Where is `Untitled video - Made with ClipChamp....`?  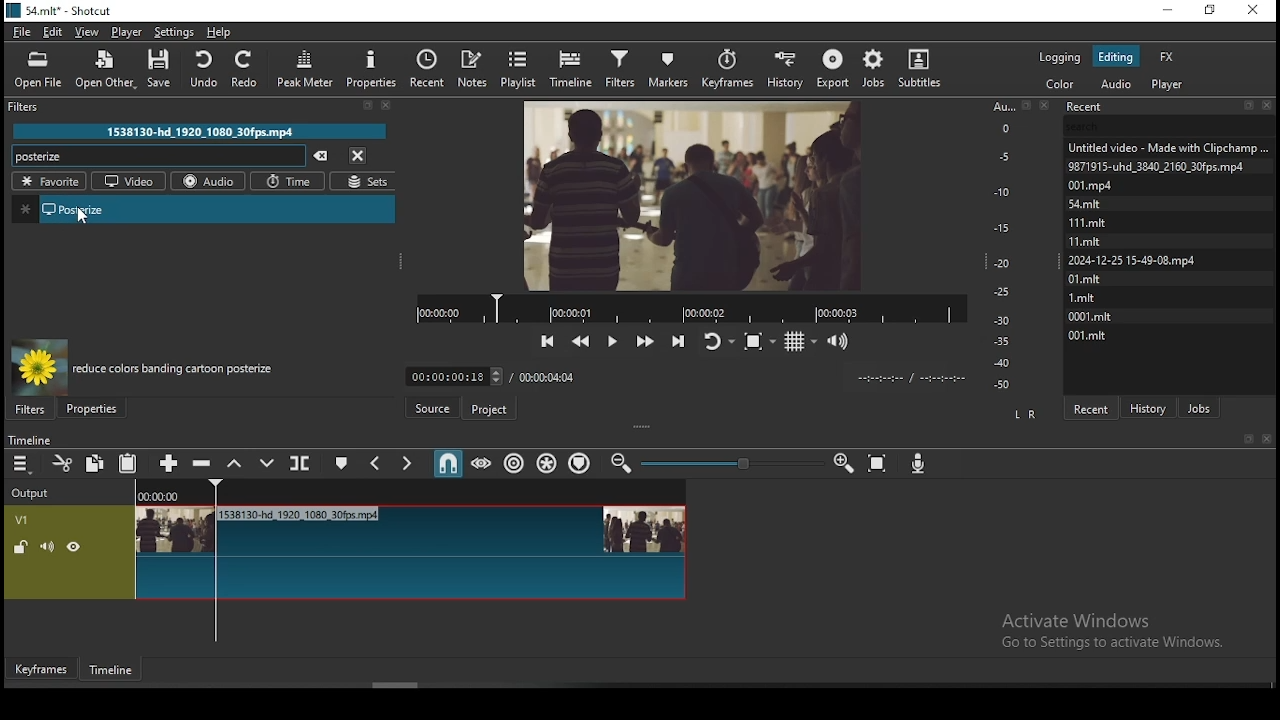
Untitled video - Made with ClipChamp.... is located at coordinates (1167, 148).